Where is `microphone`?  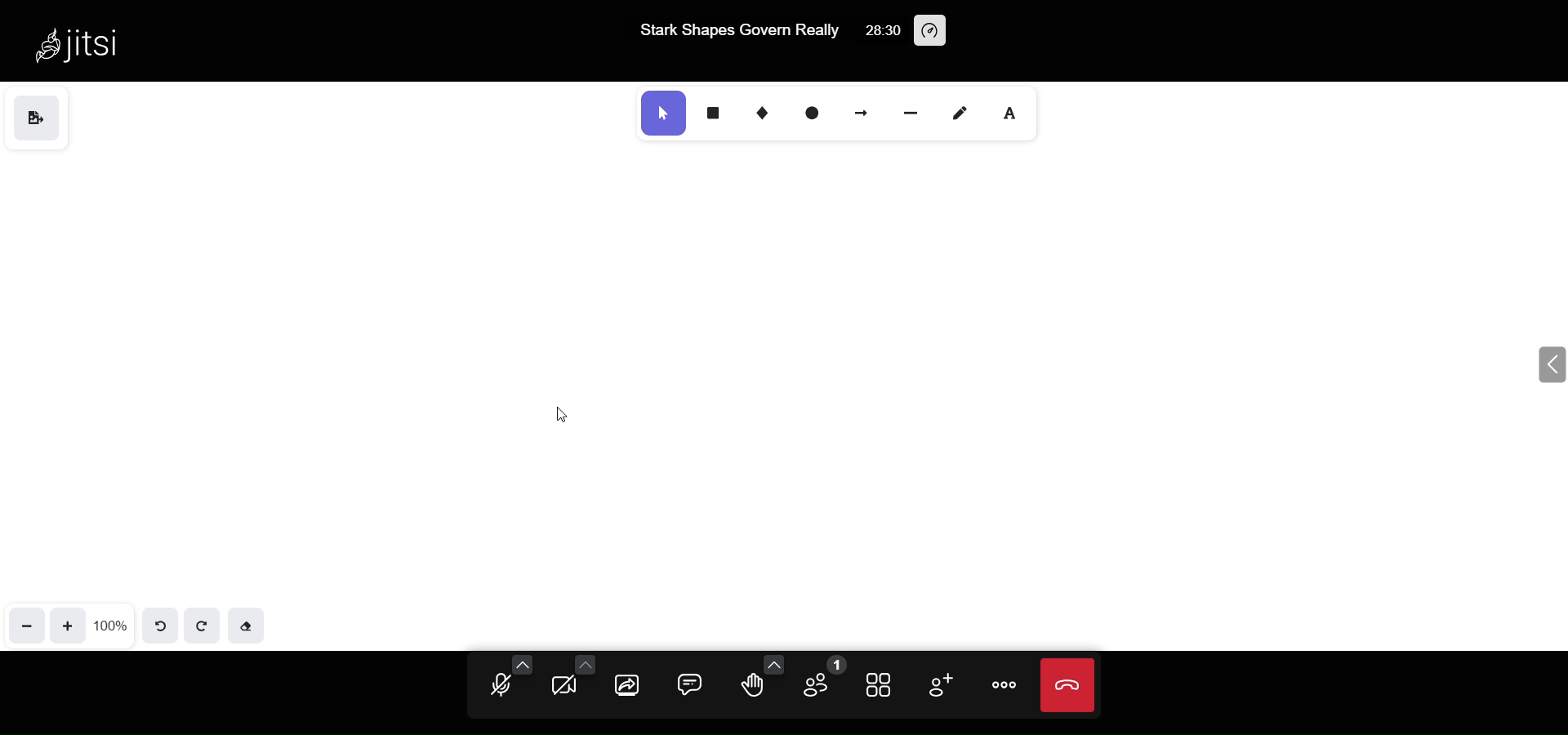
microphone is located at coordinates (500, 688).